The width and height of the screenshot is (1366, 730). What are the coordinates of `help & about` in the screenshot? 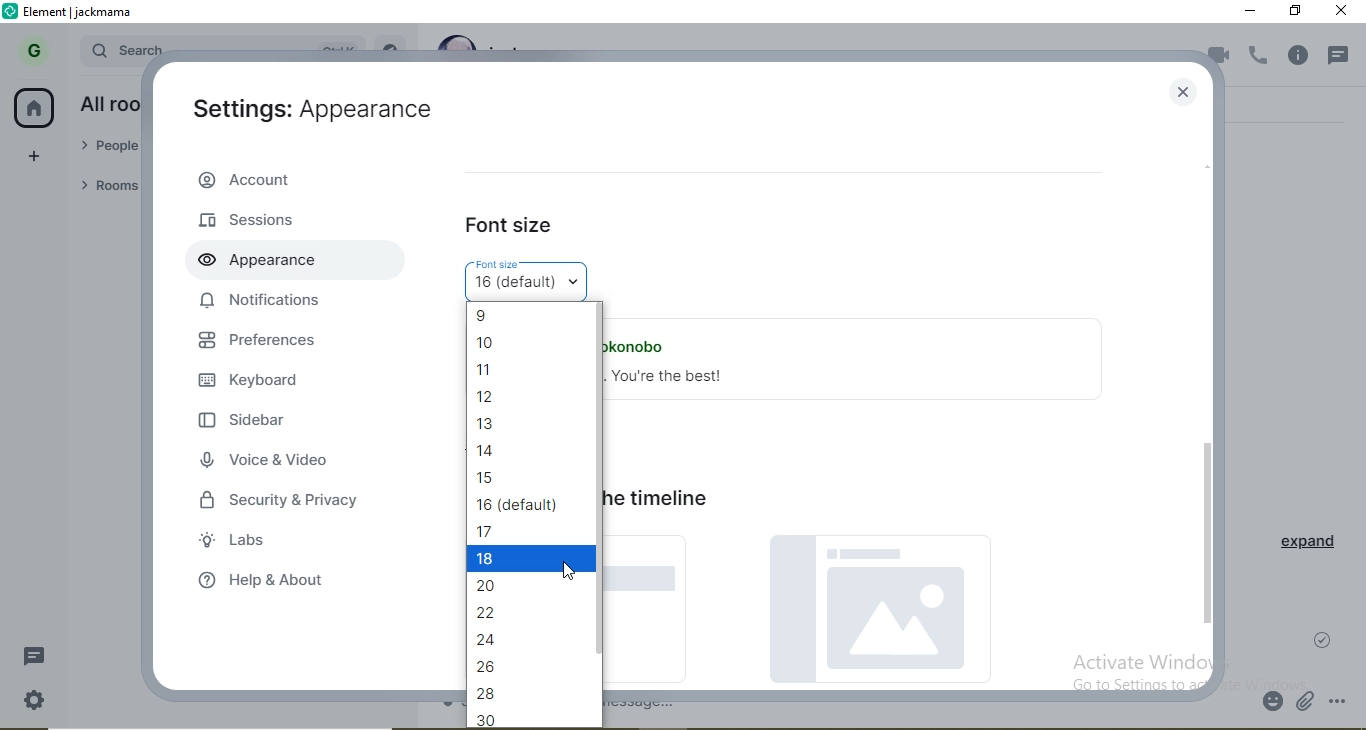 It's located at (273, 583).